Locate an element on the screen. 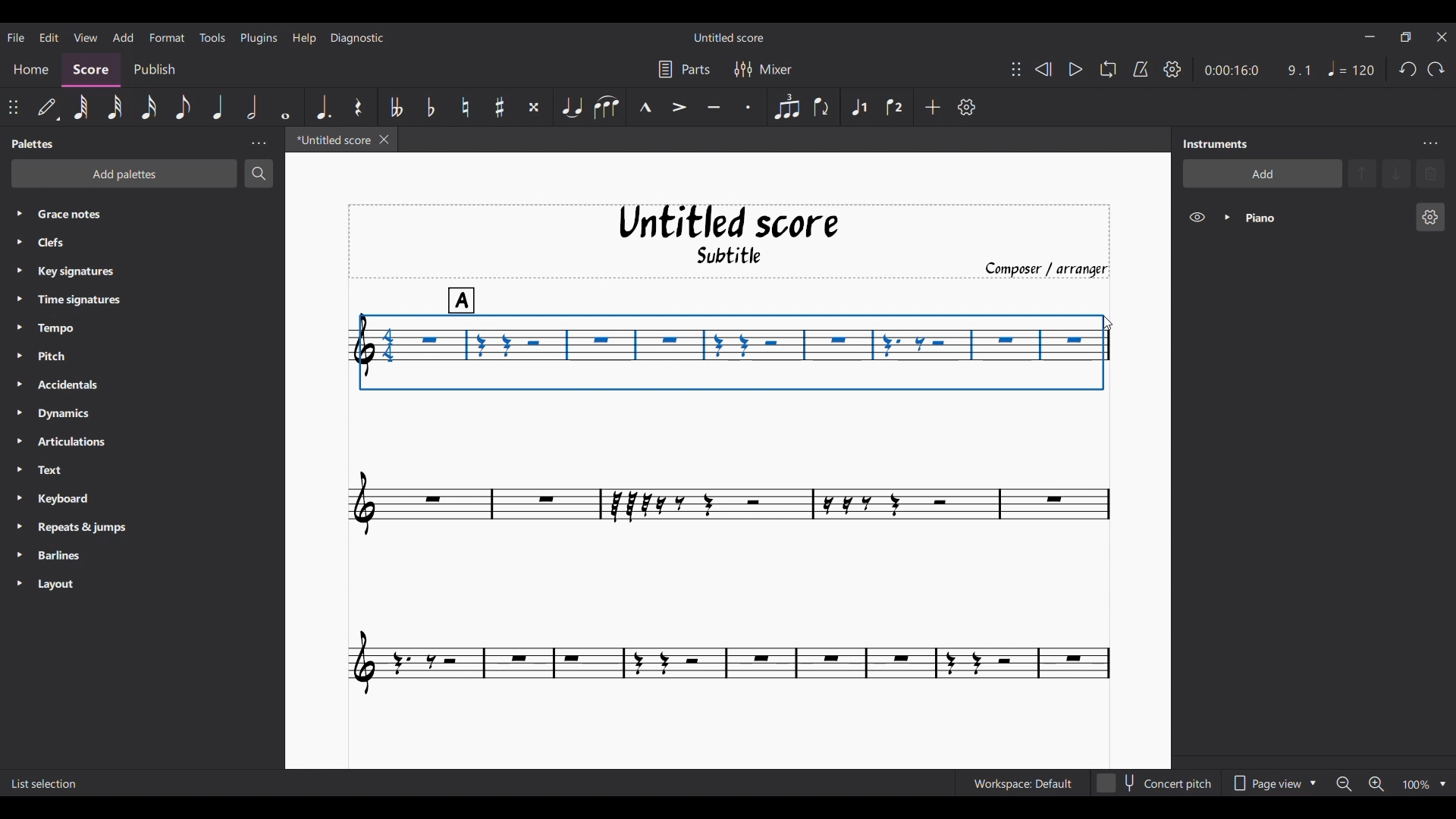 This screenshot has width=1456, height=819. Current instrument is located at coordinates (1321, 218).